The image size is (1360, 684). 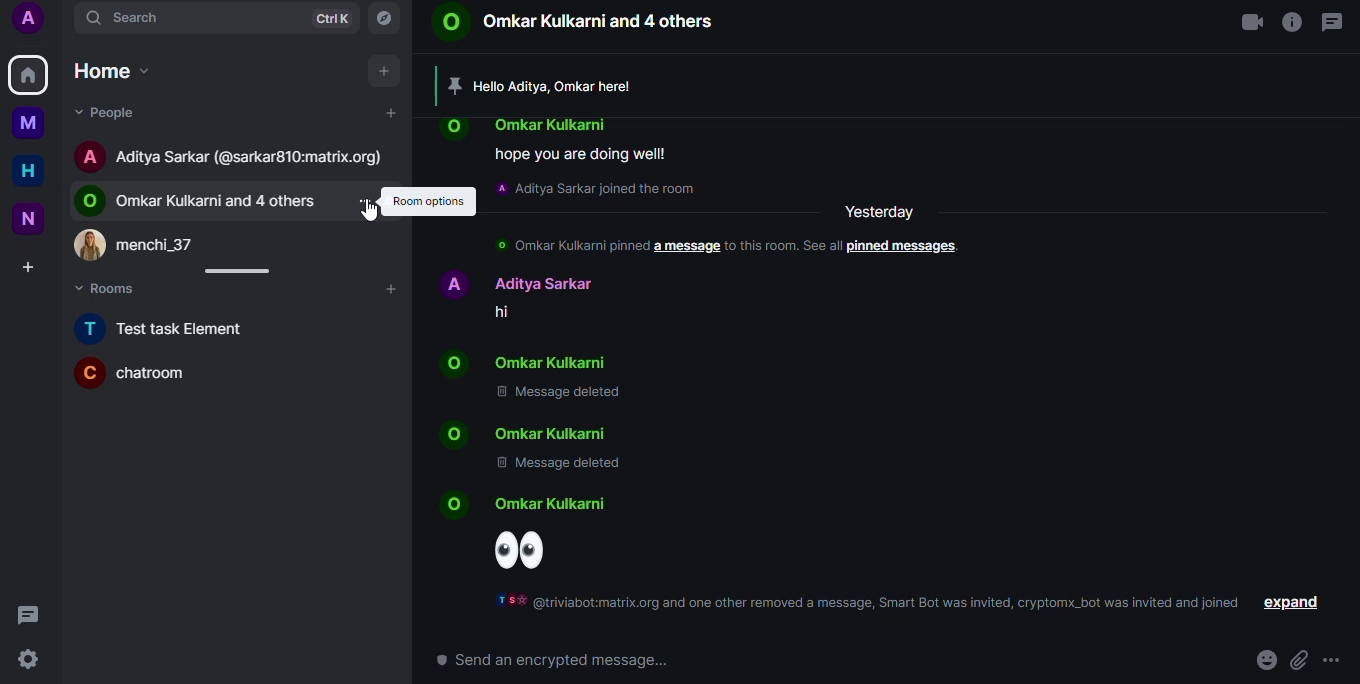 What do you see at coordinates (454, 83) in the screenshot?
I see `pin` at bounding box center [454, 83].